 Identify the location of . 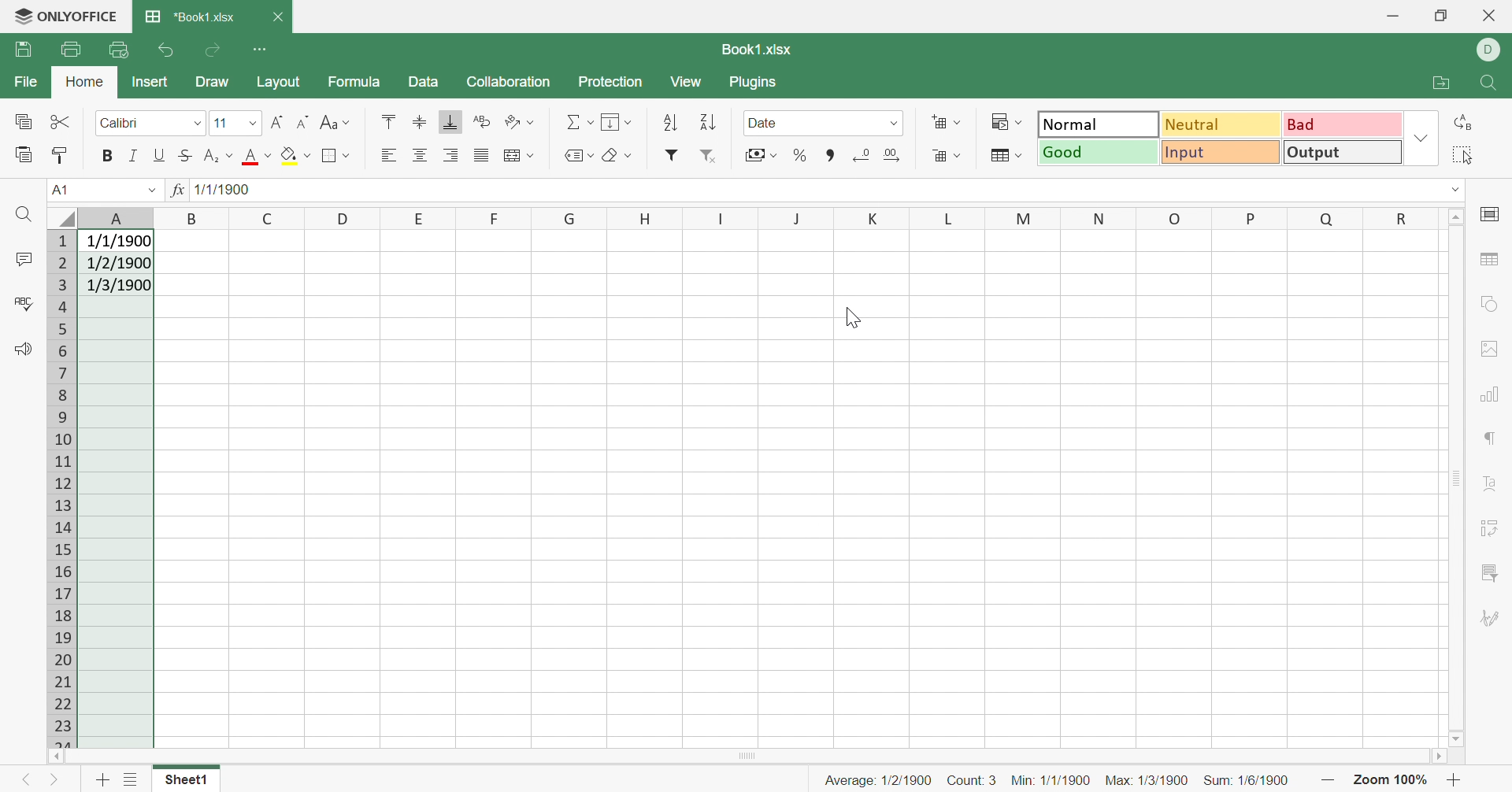
(1442, 17).